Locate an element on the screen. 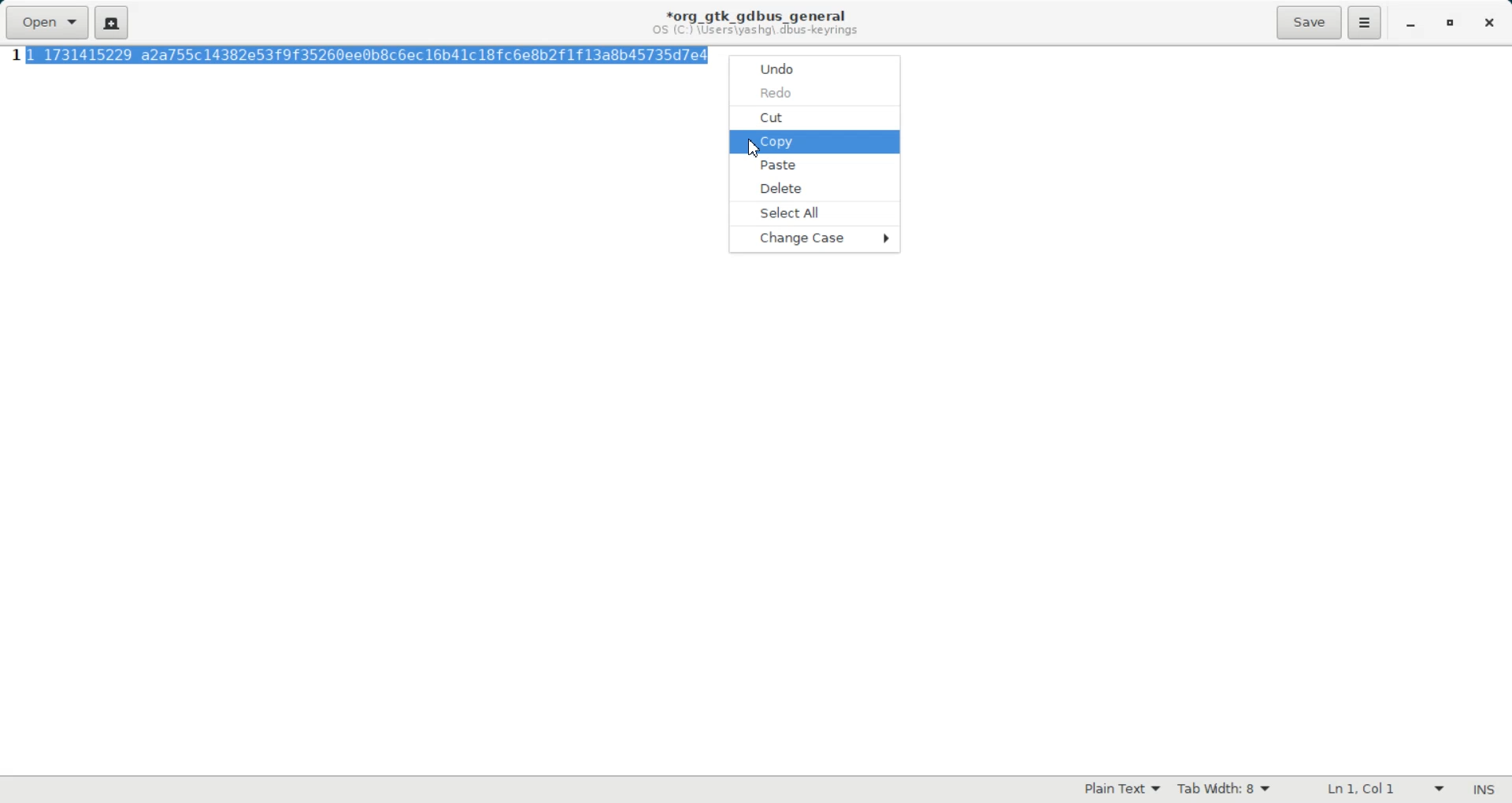 Image resolution: width=1512 pixels, height=803 pixels. Plain Text is located at coordinates (1122, 790).